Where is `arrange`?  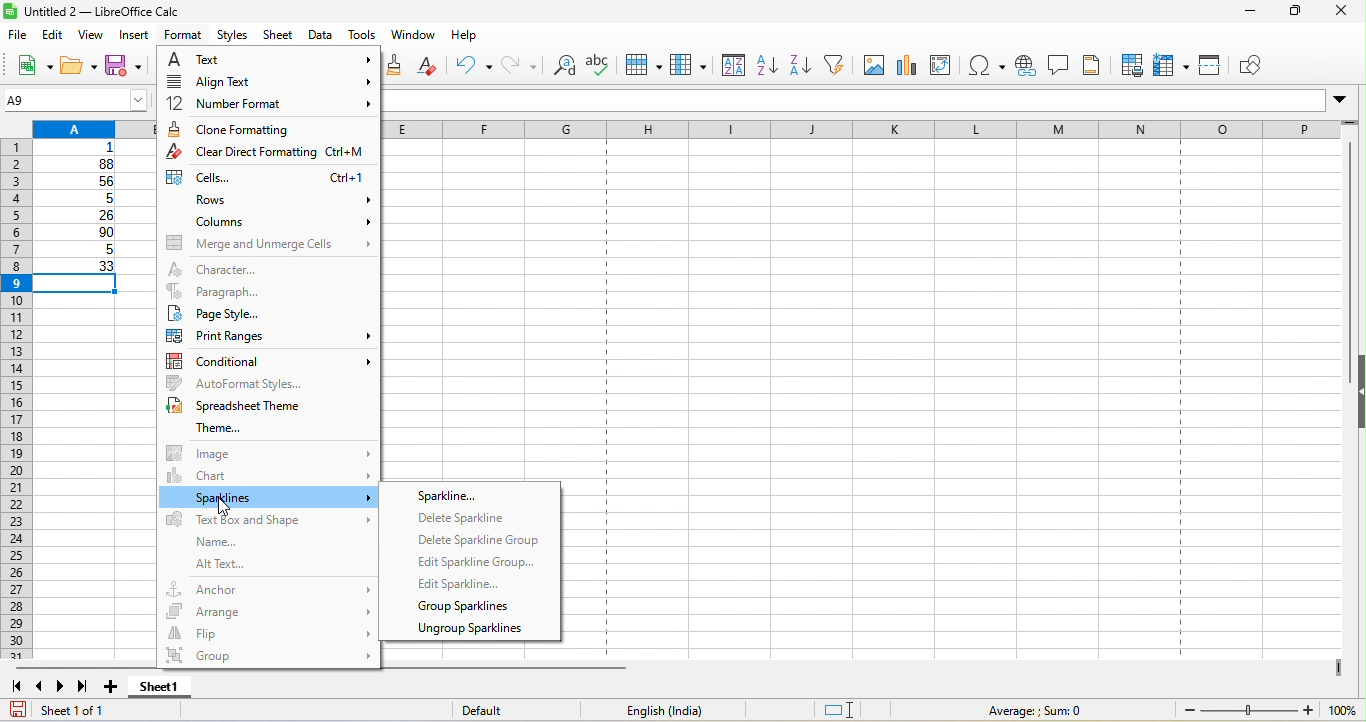
arrange is located at coordinates (269, 608).